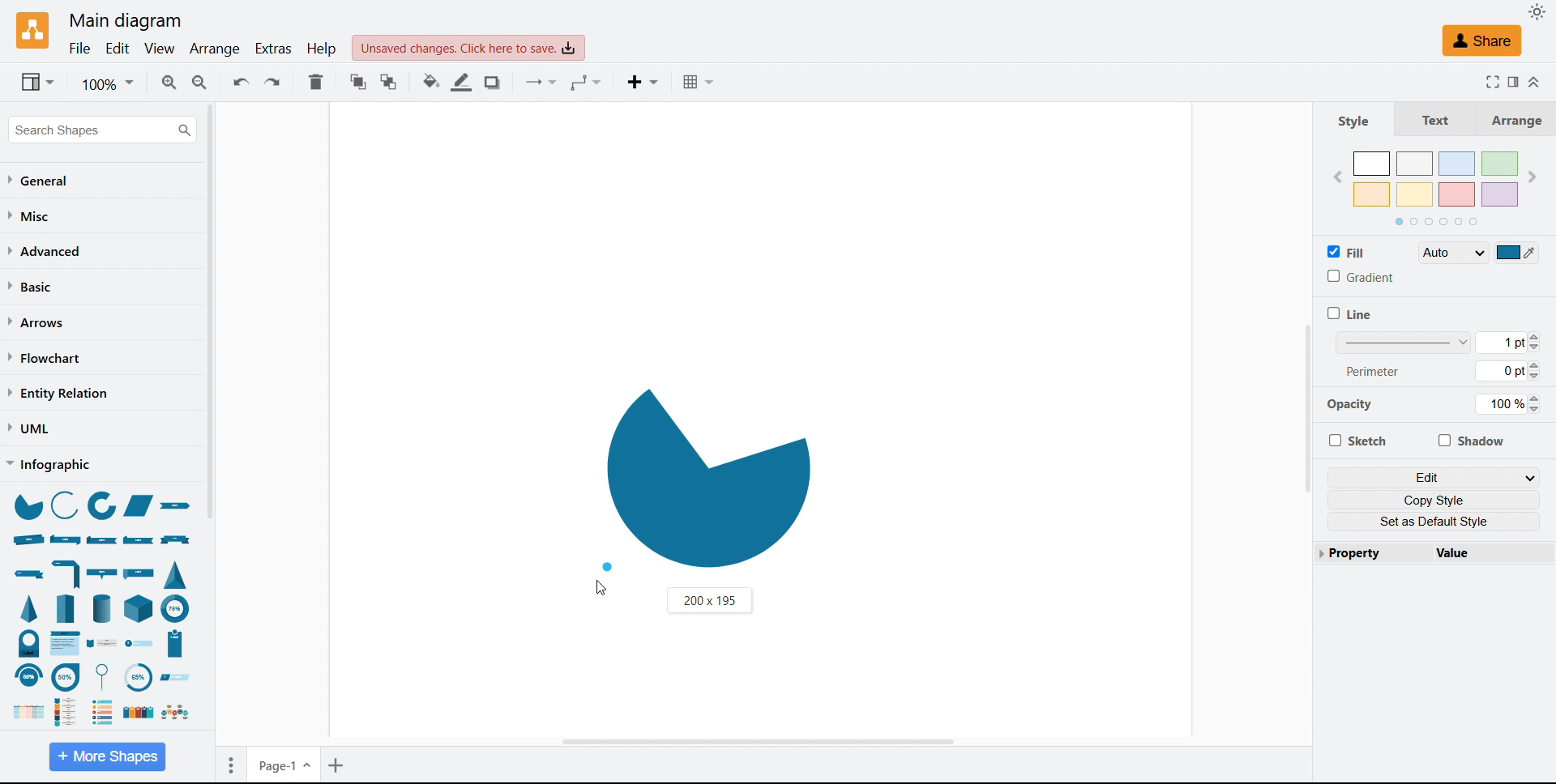 The image size is (1556, 784). Describe the element at coordinates (34, 32) in the screenshot. I see `Logo ` at that location.